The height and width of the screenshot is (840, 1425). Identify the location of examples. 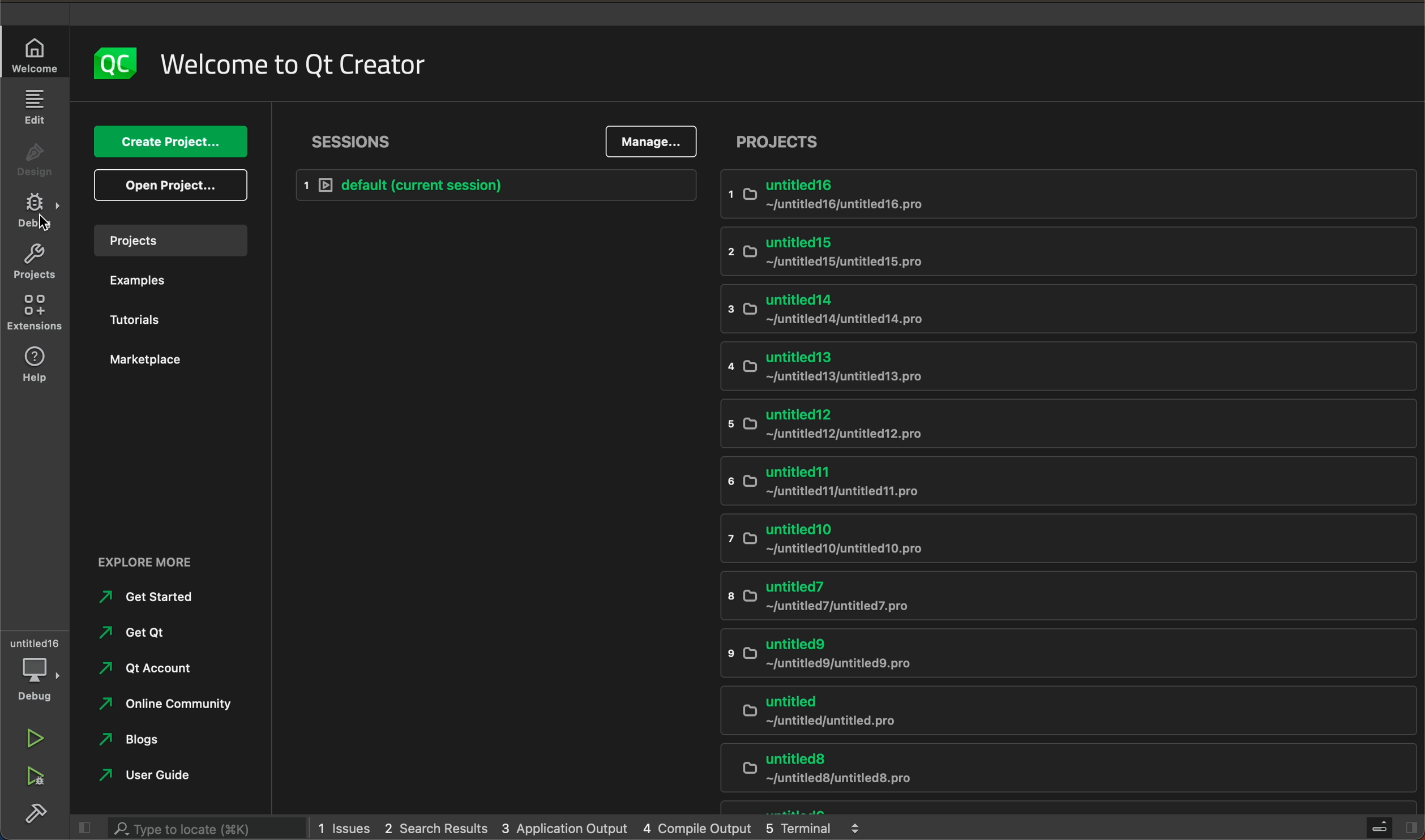
(166, 279).